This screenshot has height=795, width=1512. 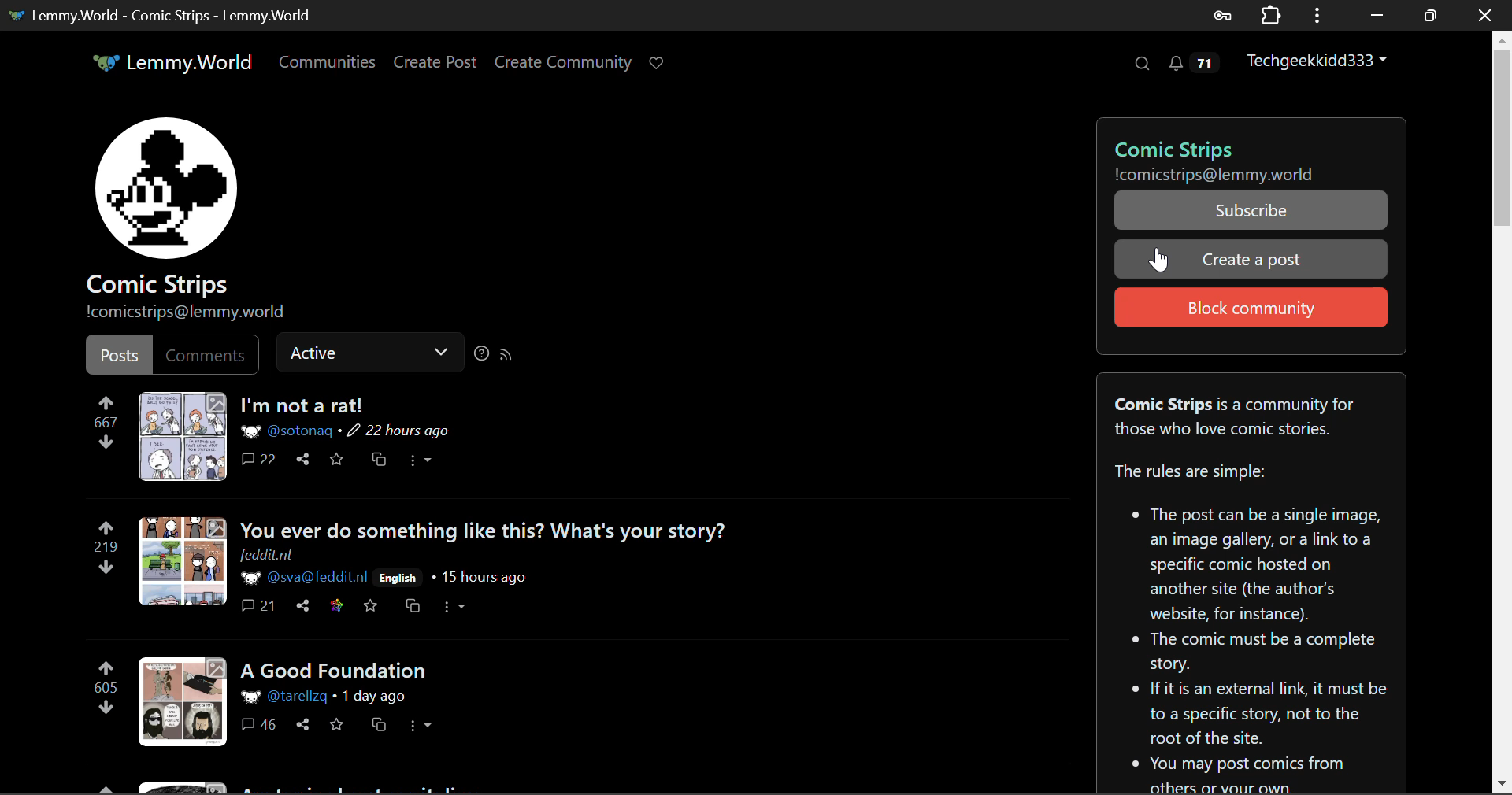 What do you see at coordinates (258, 605) in the screenshot?
I see `Comments` at bounding box center [258, 605].